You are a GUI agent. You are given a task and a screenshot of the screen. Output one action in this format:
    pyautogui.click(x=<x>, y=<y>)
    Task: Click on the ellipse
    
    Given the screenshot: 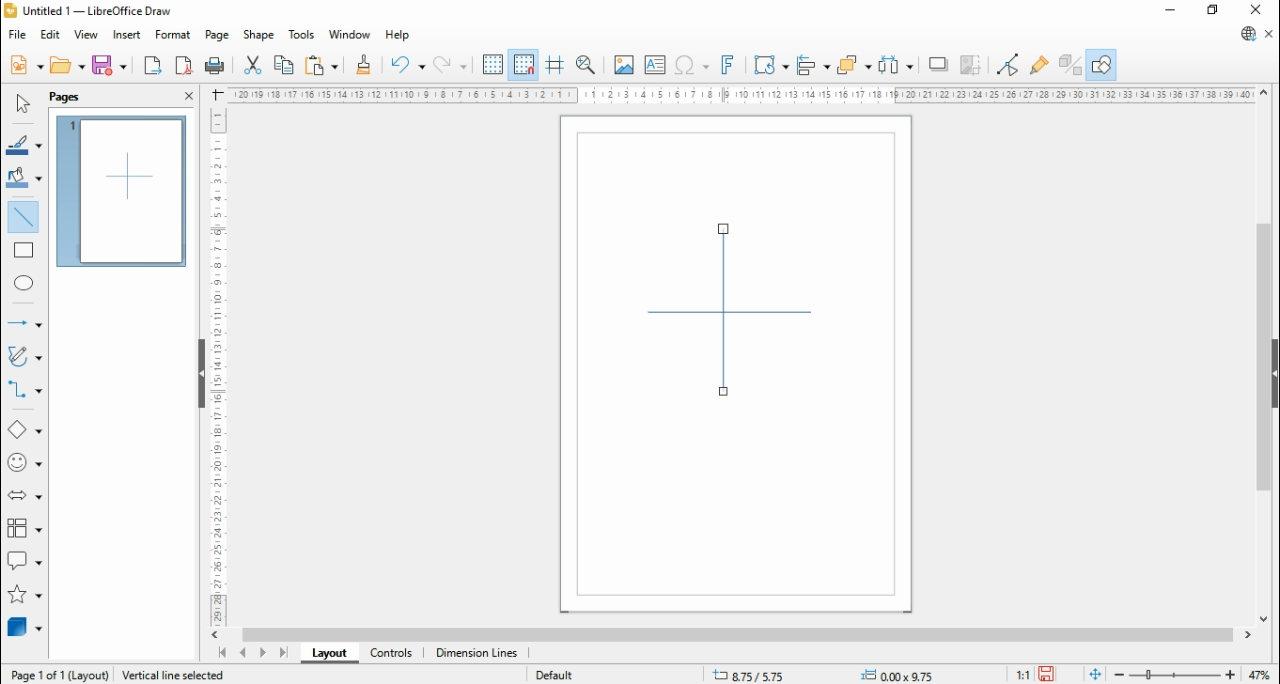 What is the action you would take?
    pyautogui.click(x=24, y=282)
    